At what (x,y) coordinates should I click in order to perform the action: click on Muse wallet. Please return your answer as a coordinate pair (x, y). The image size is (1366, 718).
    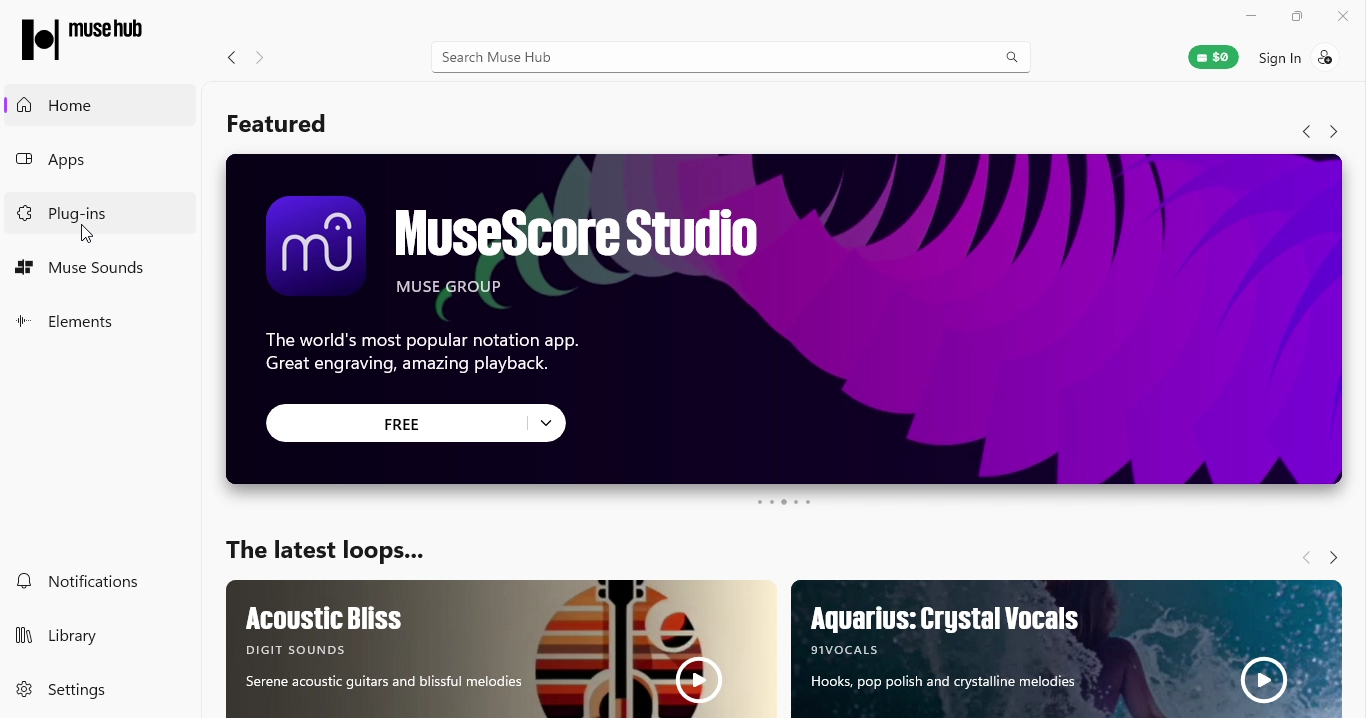
    Looking at the image, I should click on (1214, 57).